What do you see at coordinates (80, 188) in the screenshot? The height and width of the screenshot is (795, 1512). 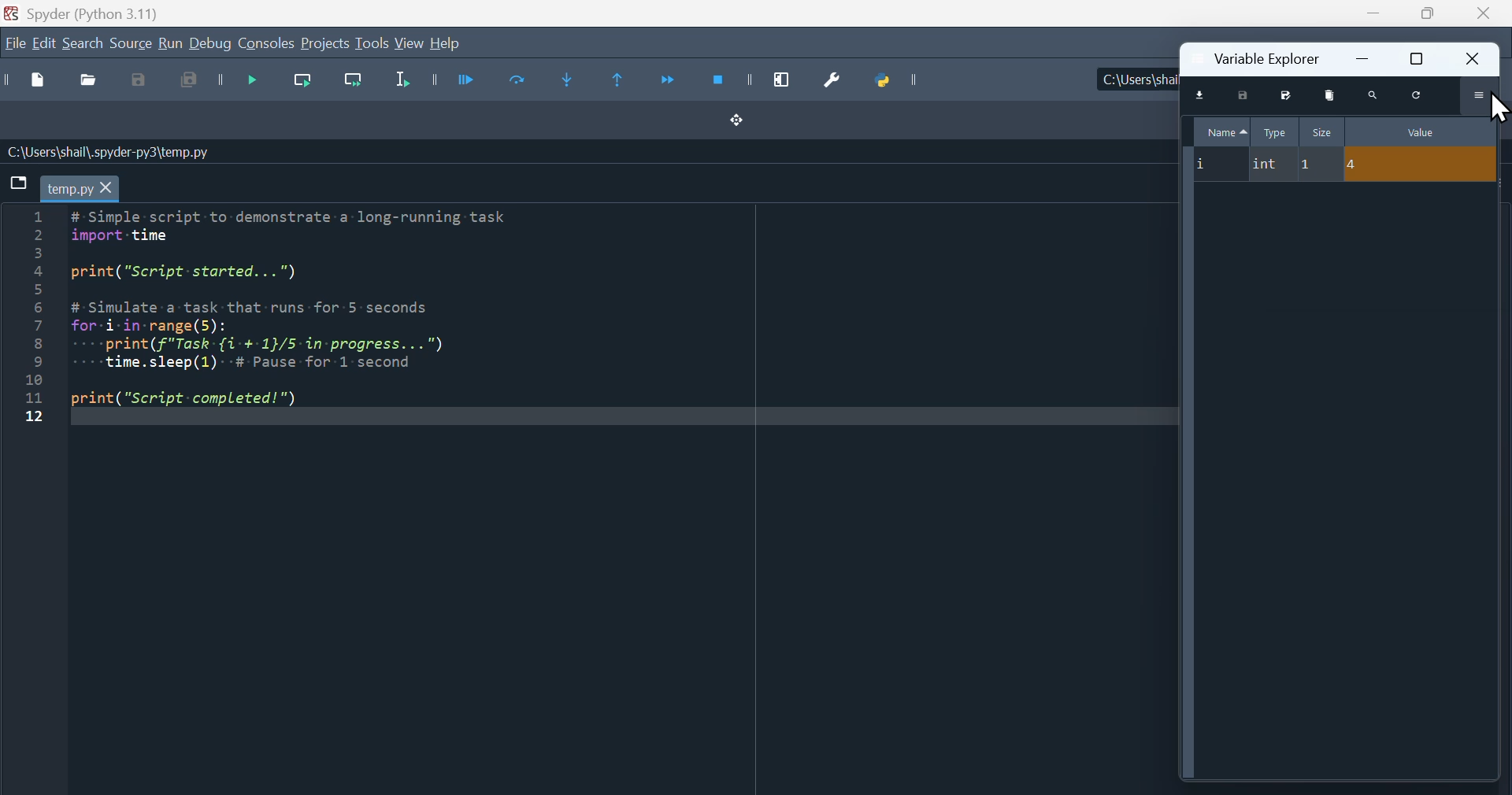 I see `temp.py` at bounding box center [80, 188].